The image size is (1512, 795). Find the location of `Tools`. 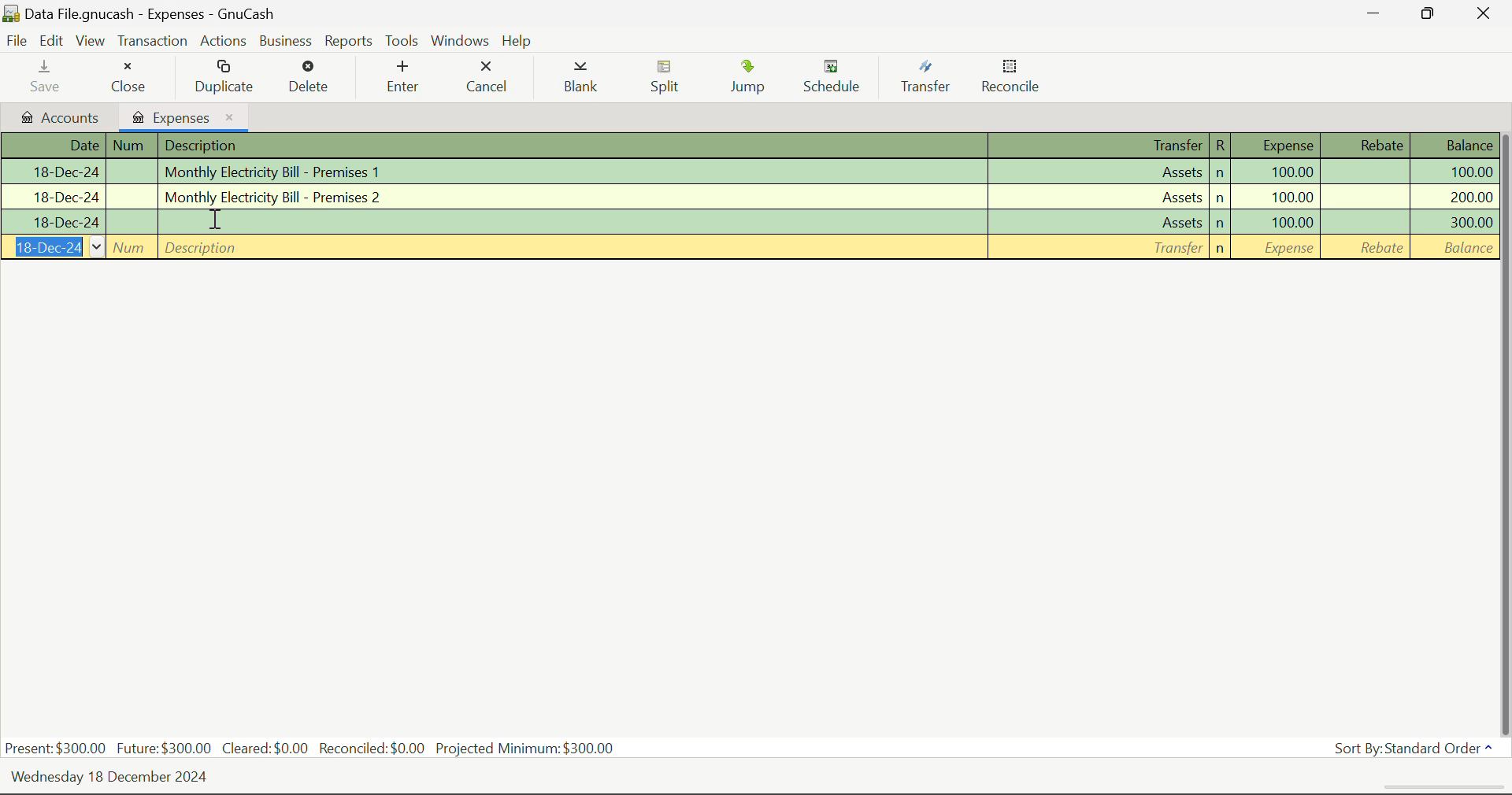

Tools is located at coordinates (402, 42).